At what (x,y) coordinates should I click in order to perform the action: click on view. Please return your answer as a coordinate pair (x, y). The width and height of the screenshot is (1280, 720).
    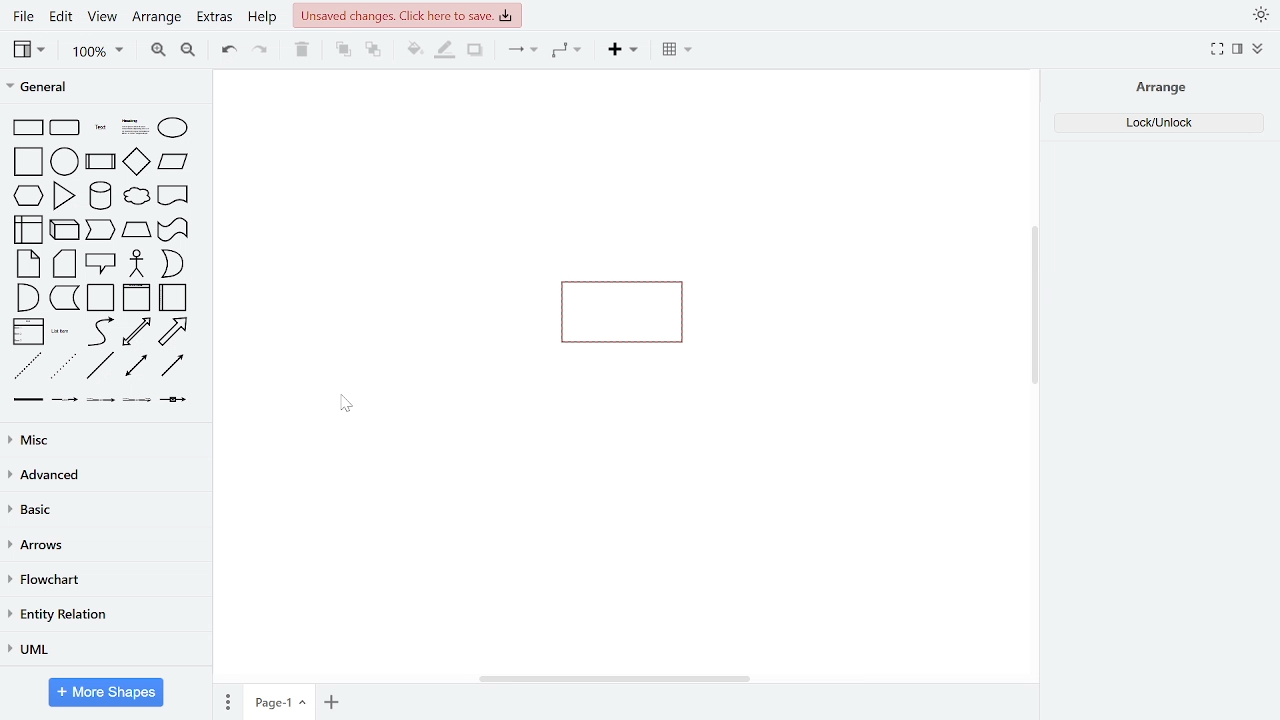
    Looking at the image, I should click on (104, 17).